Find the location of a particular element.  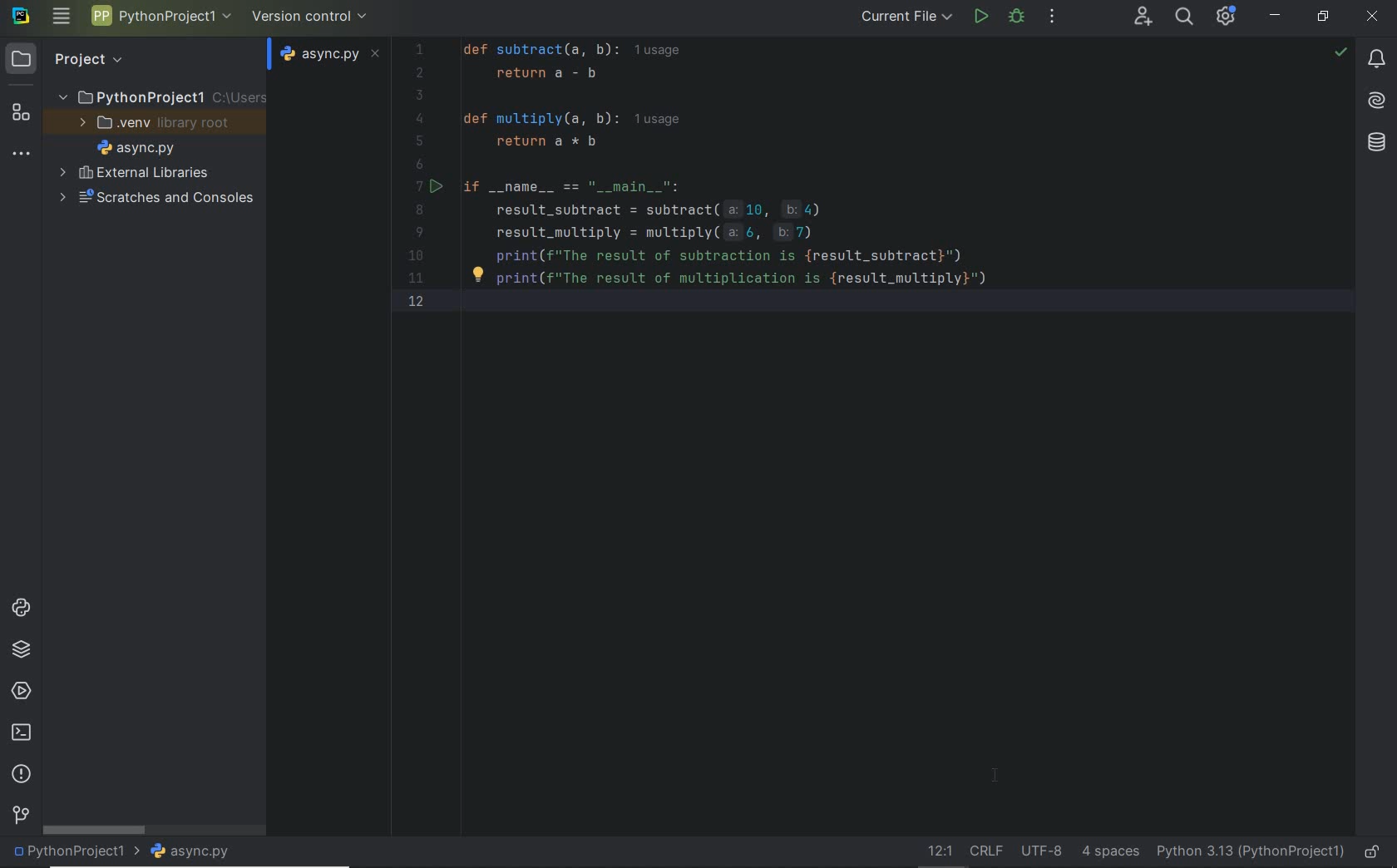

version control is located at coordinates (20, 816).